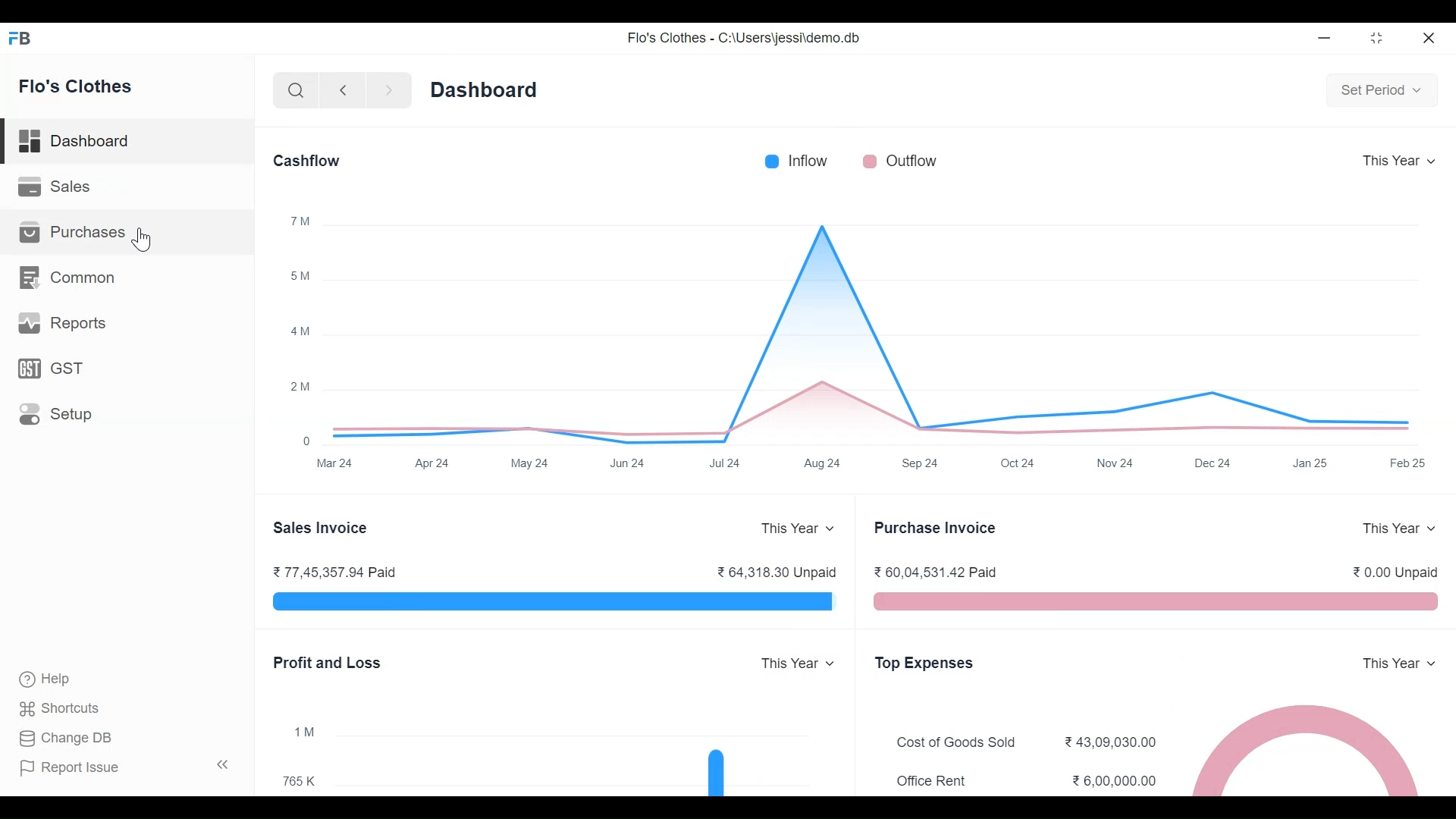 The height and width of the screenshot is (819, 1456). I want to click on Setup, so click(55, 414).